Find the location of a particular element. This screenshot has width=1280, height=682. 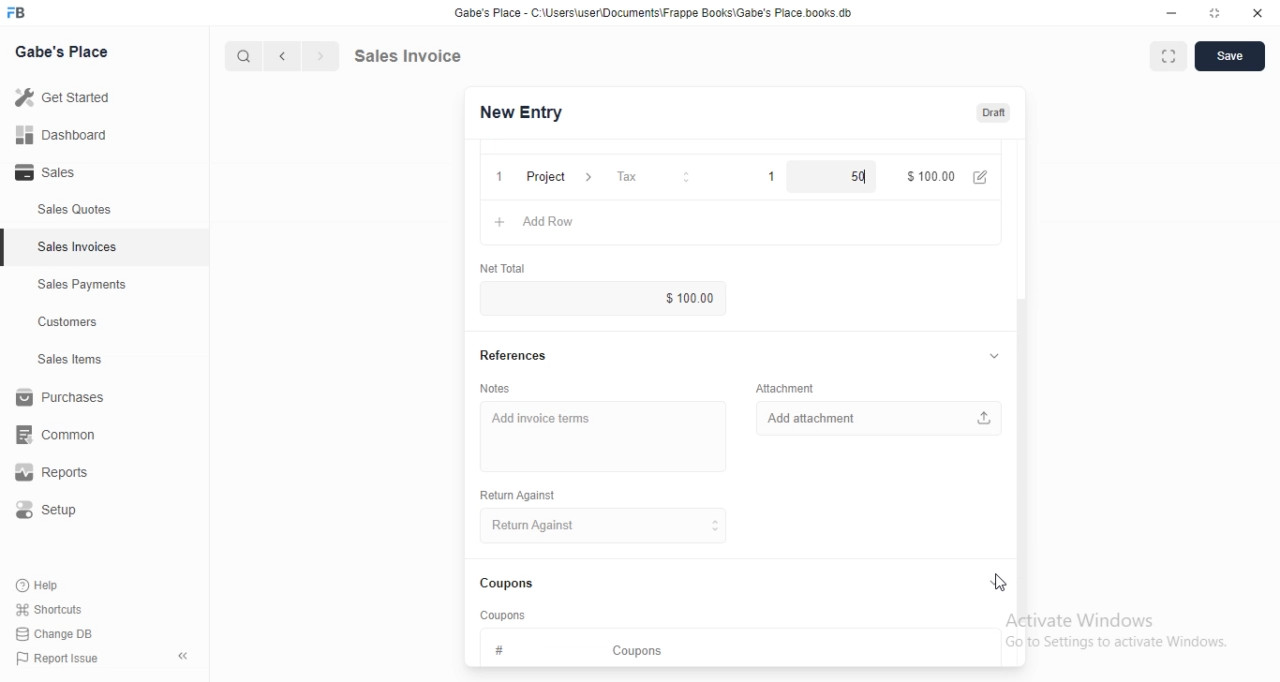

FB logo is located at coordinates (20, 13).